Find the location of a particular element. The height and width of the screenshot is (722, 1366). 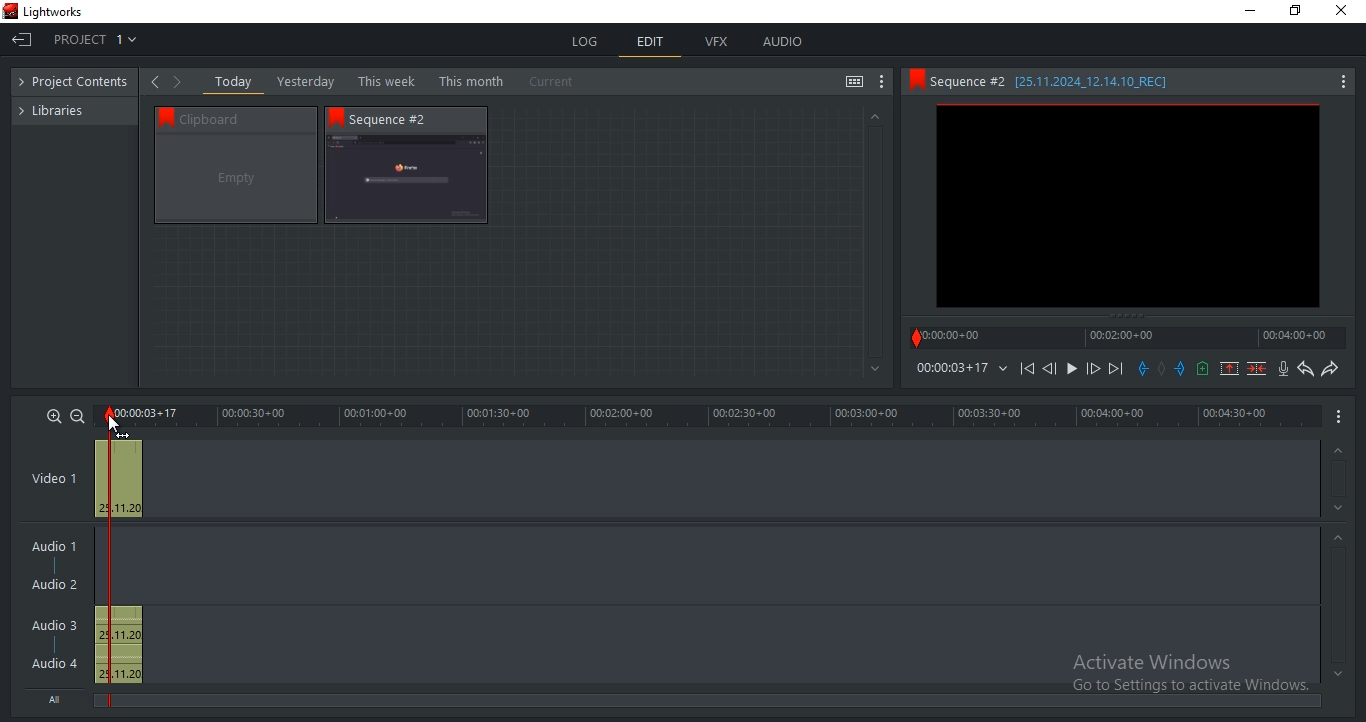

Show options to the left is located at coordinates (154, 81).